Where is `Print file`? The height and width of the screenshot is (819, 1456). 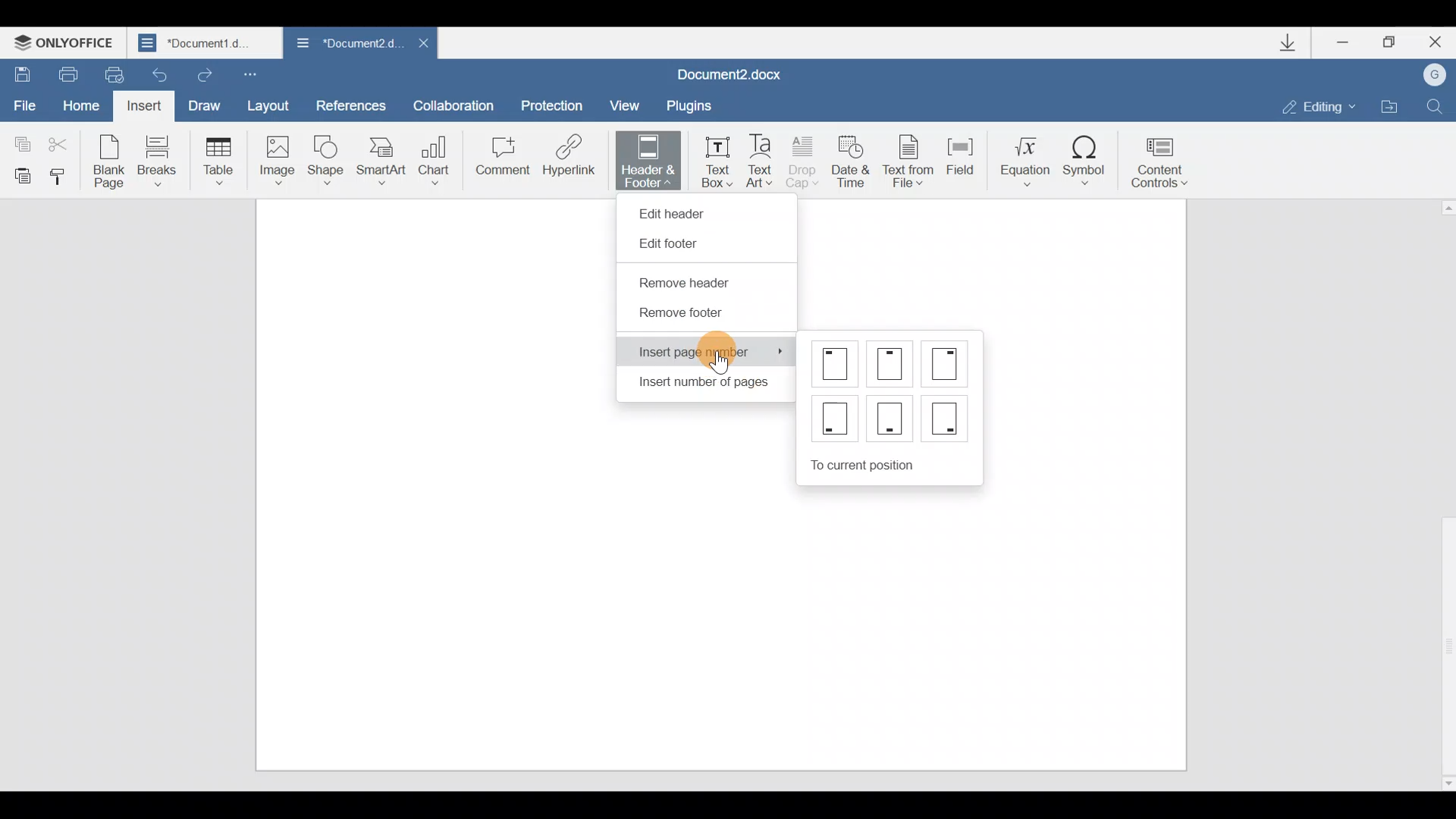
Print file is located at coordinates (64, 74).